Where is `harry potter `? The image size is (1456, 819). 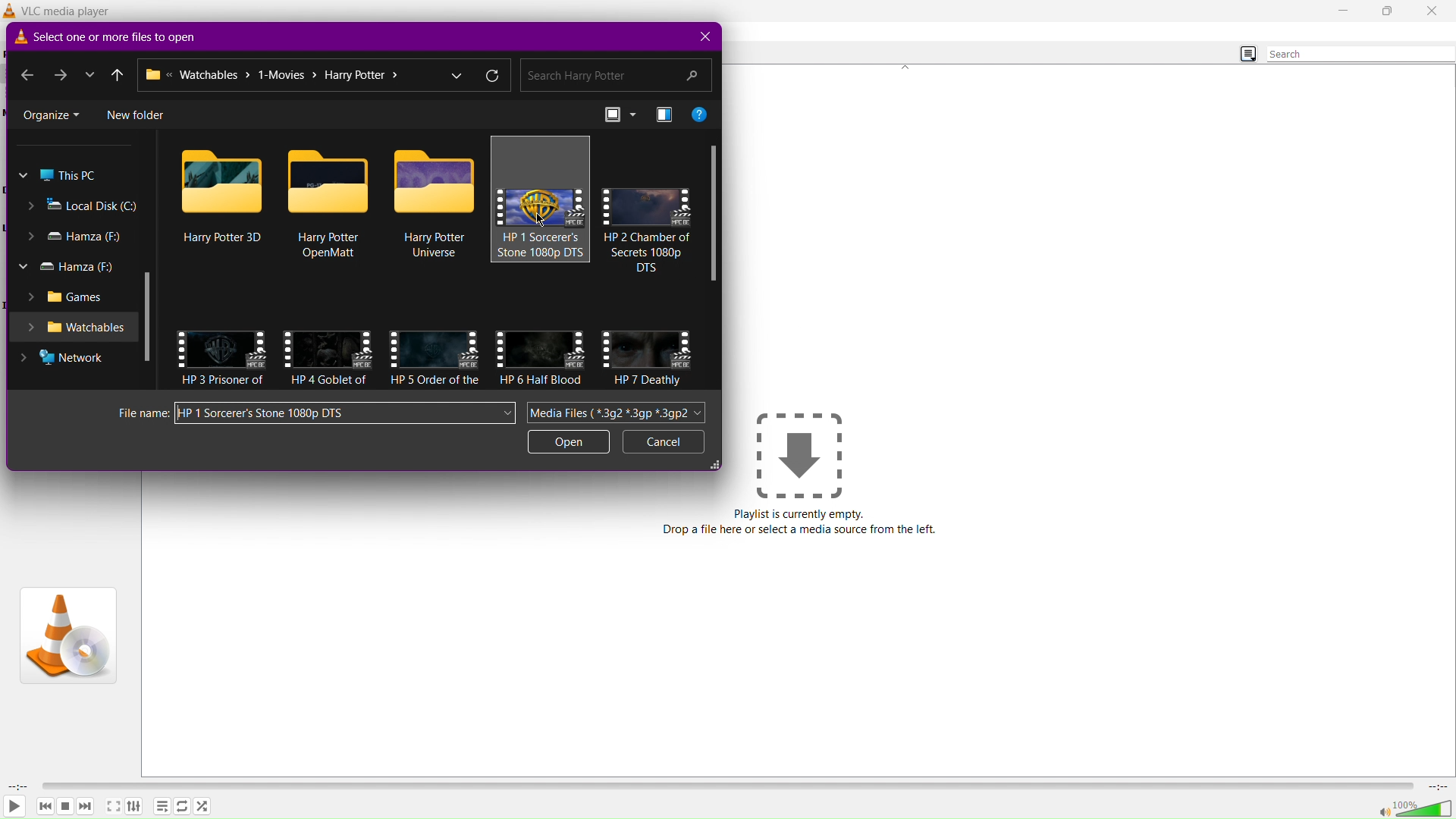 harry potter  is located at coordinates (329, 379).